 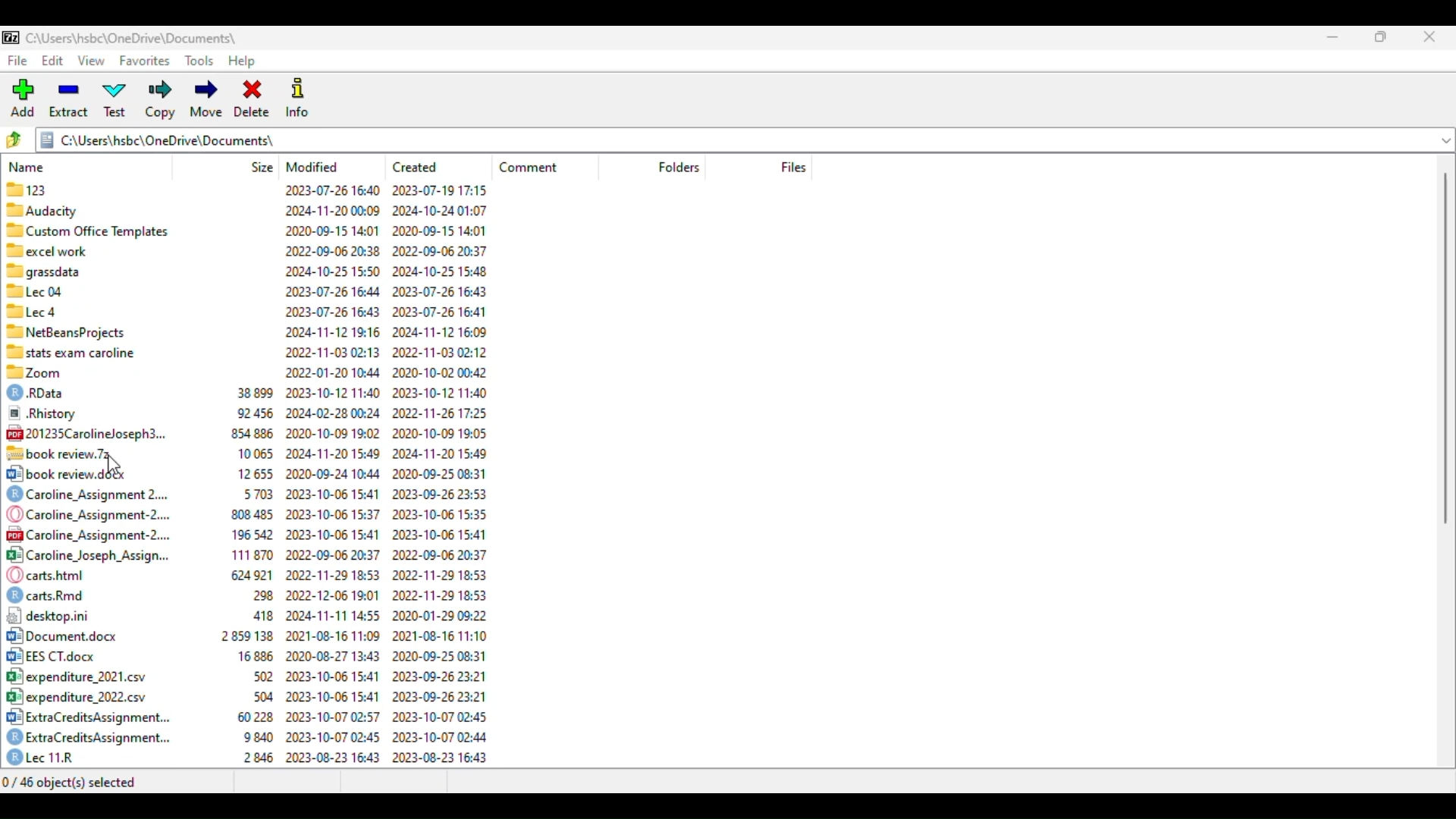 I want to click on @201235Carolineloseph3... 854886 2020-10-09 19:02 2020-10-09 19:05, so click(x=247, y=432).